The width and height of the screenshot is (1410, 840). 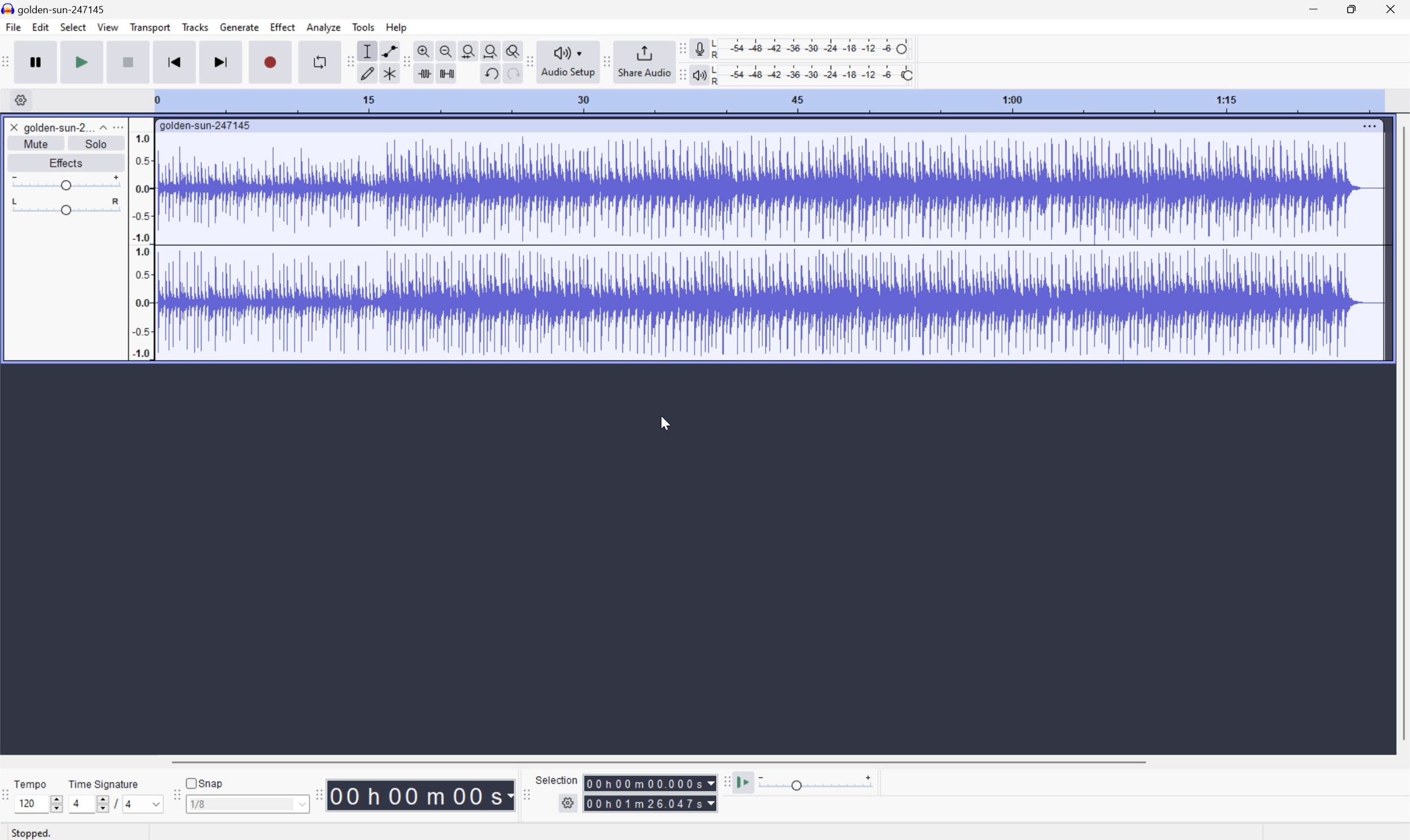 I want to click on golden-sun-247145, so click(x=57, y=8).